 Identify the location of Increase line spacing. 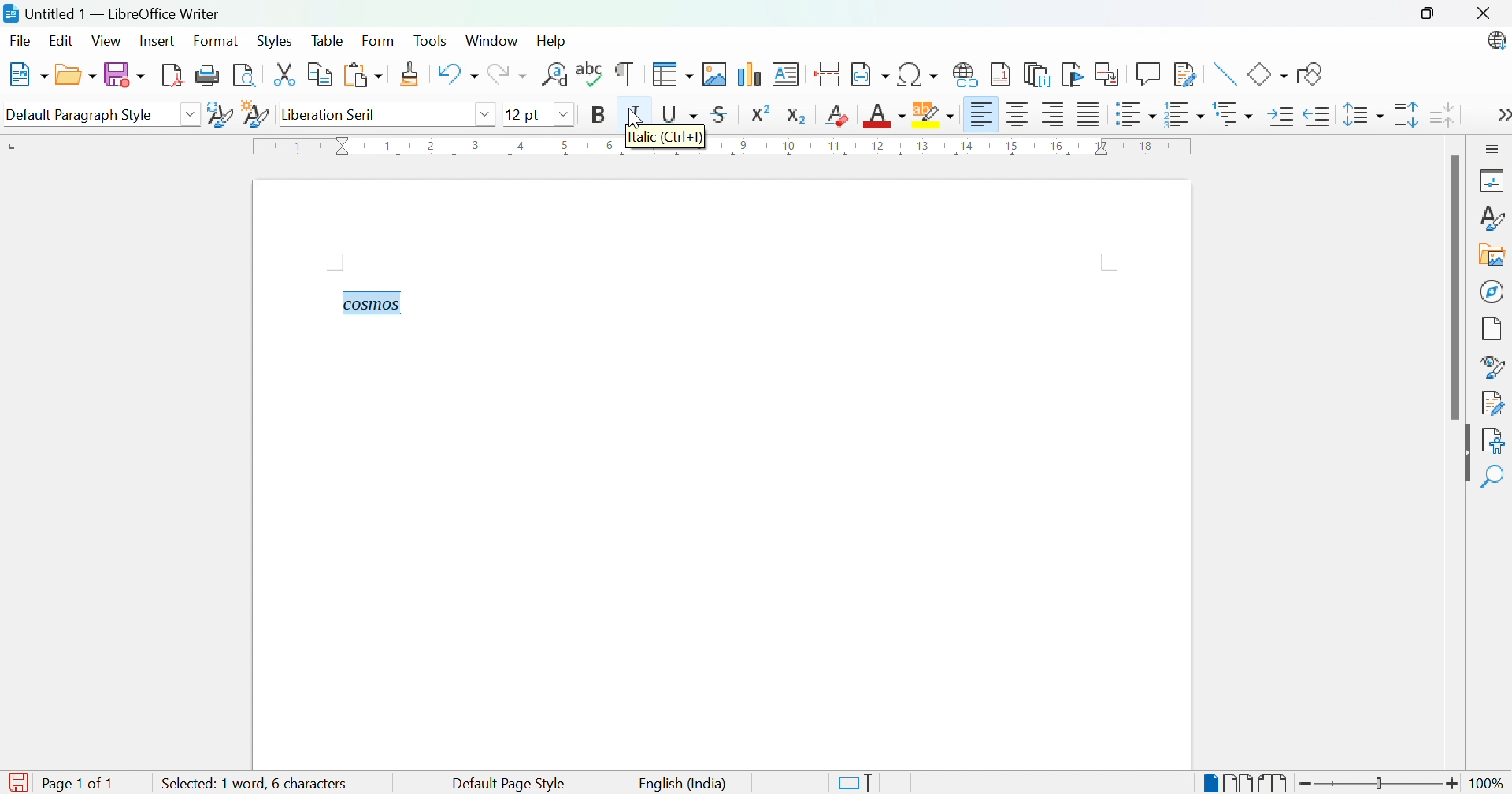
(1406, 115).